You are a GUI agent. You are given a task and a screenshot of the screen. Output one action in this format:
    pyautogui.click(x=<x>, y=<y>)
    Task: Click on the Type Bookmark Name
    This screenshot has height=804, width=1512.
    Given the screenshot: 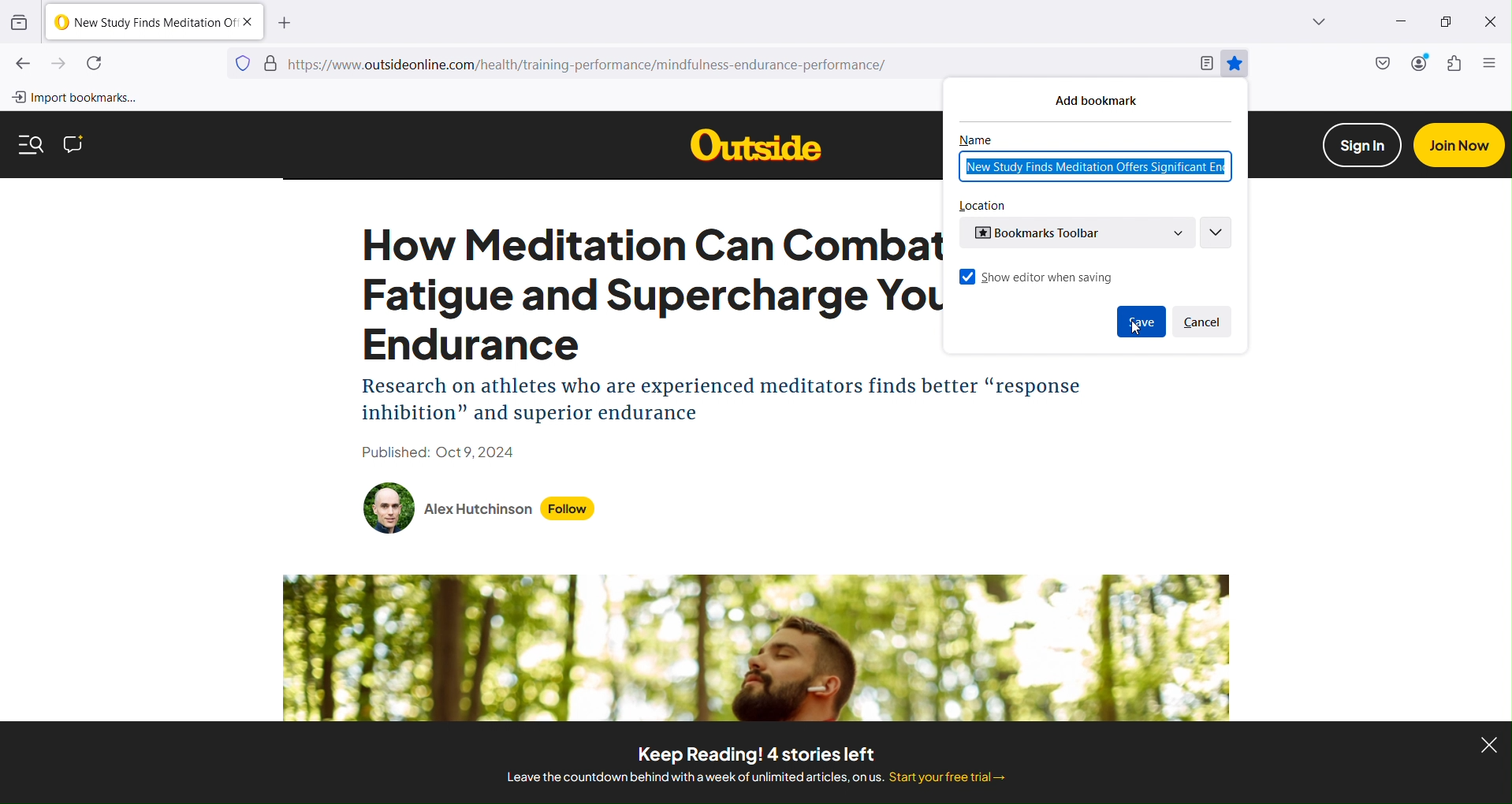 What is the action you would take?
    pyautogui.click(x=1094, y=166)
    